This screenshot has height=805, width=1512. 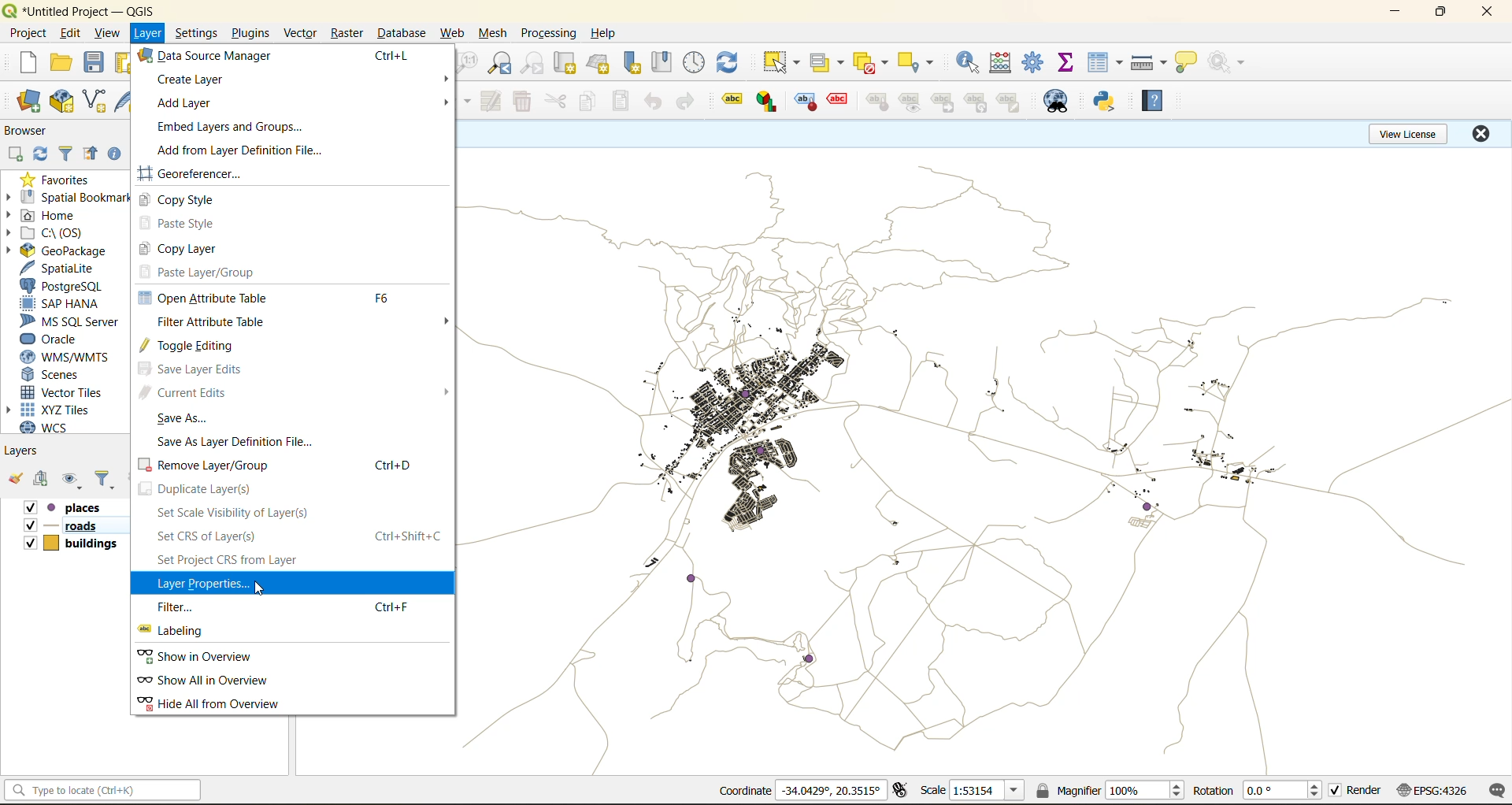 What do you see at coordinates (73, 198) in the screenshot?
I see `spatial bookmarks` at bounding box center [73, 198].